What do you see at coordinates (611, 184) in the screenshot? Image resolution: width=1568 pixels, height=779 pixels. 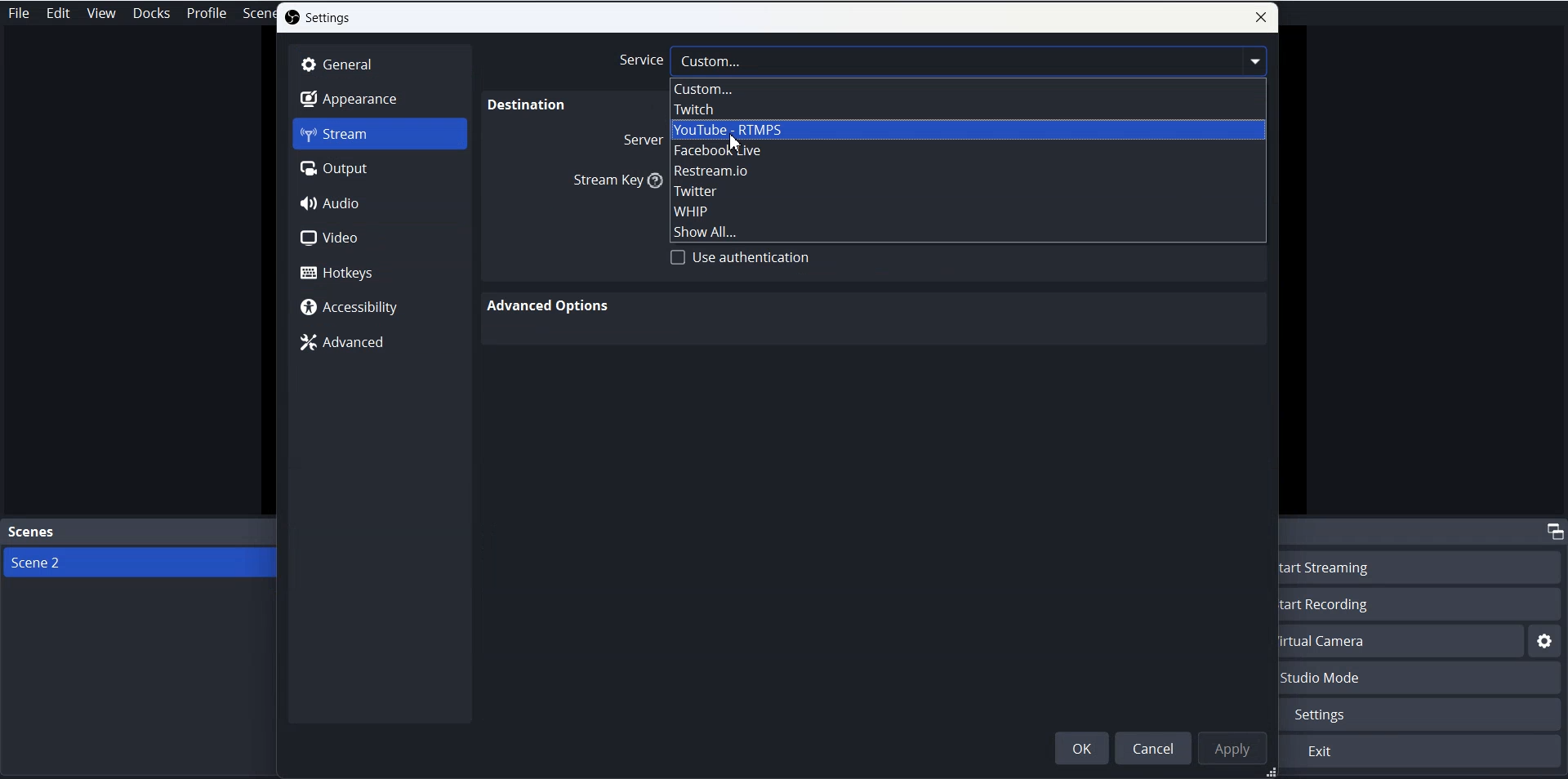 I see `Stream key` at bounding box center [611, 184].